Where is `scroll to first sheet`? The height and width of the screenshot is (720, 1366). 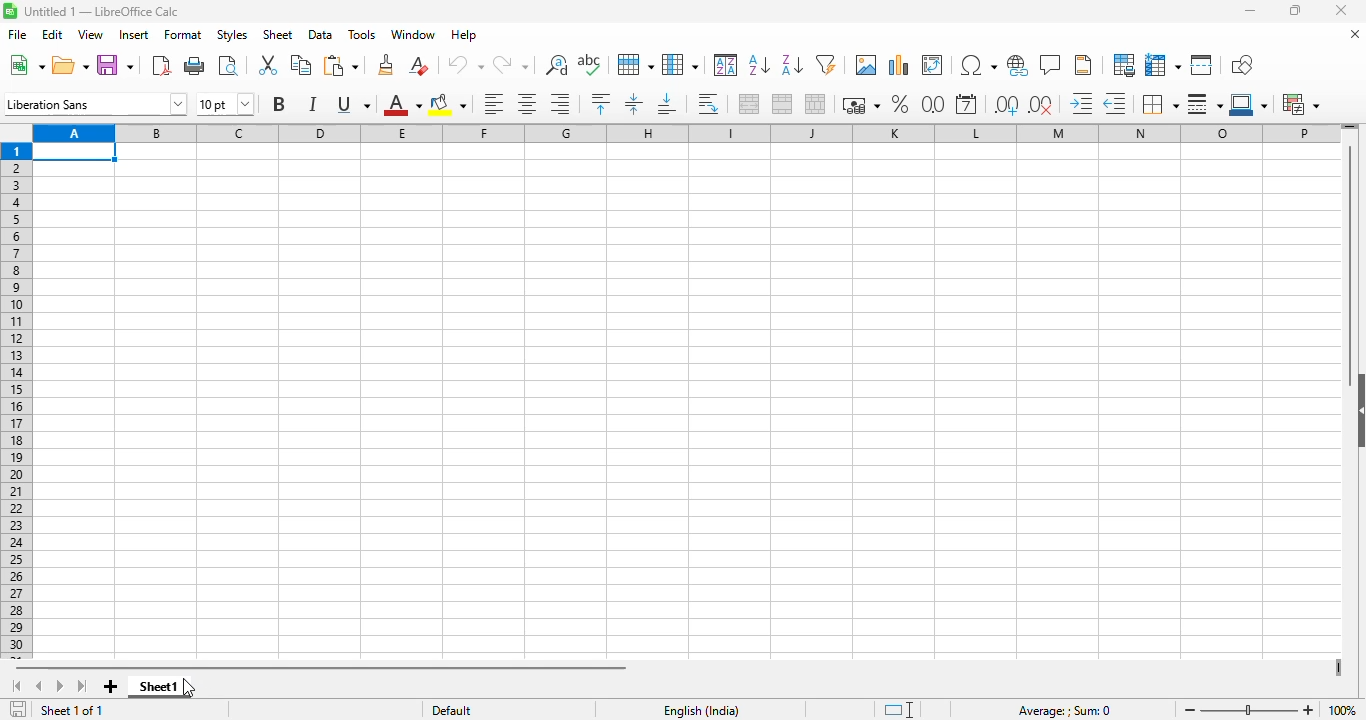
scroll to first sheet is located at coordinates (18, 686).